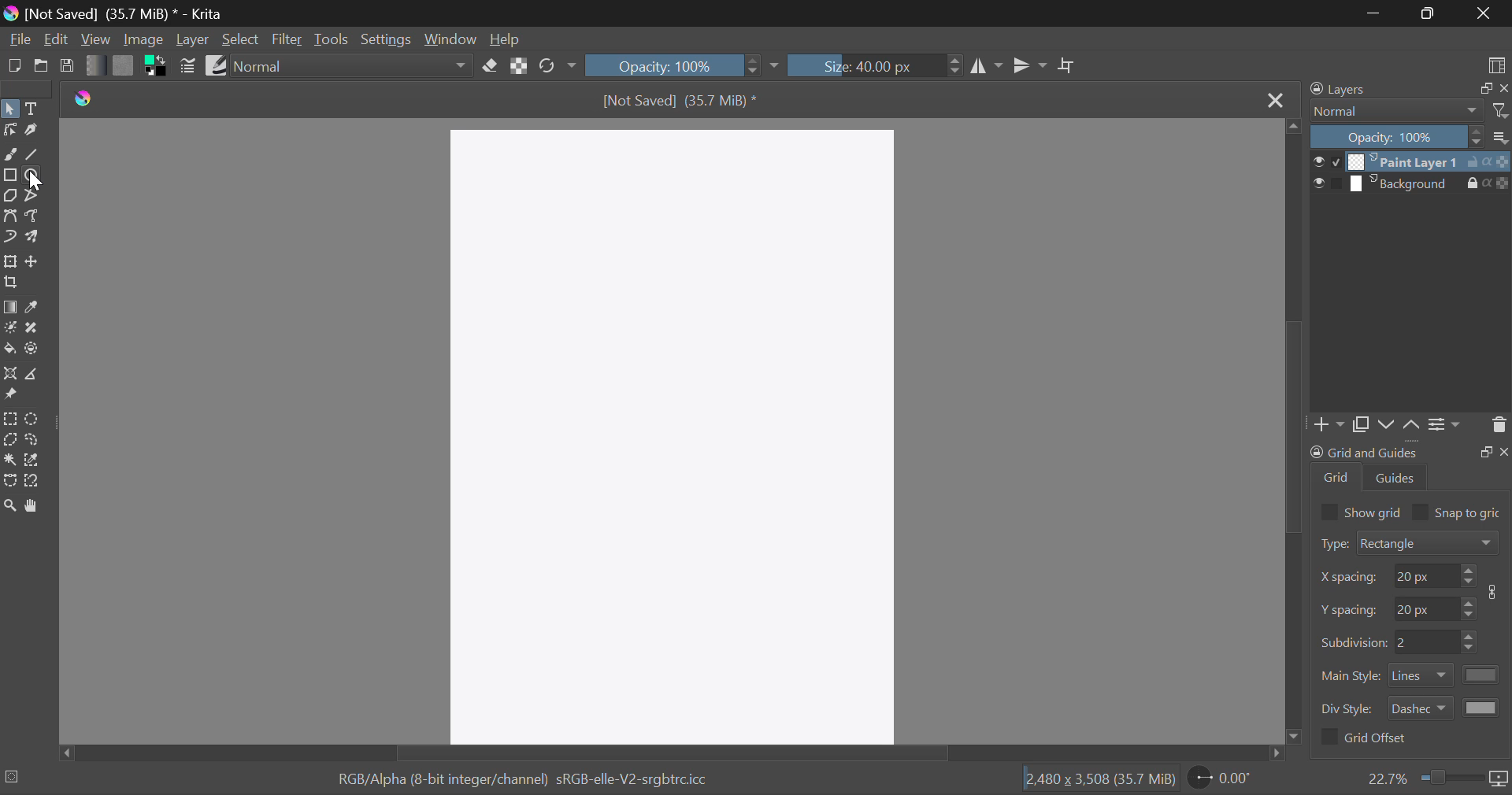  What do you see at coordinates (31, 109) in the screenshot?
I see `Text` at bounding box center [31, 109].